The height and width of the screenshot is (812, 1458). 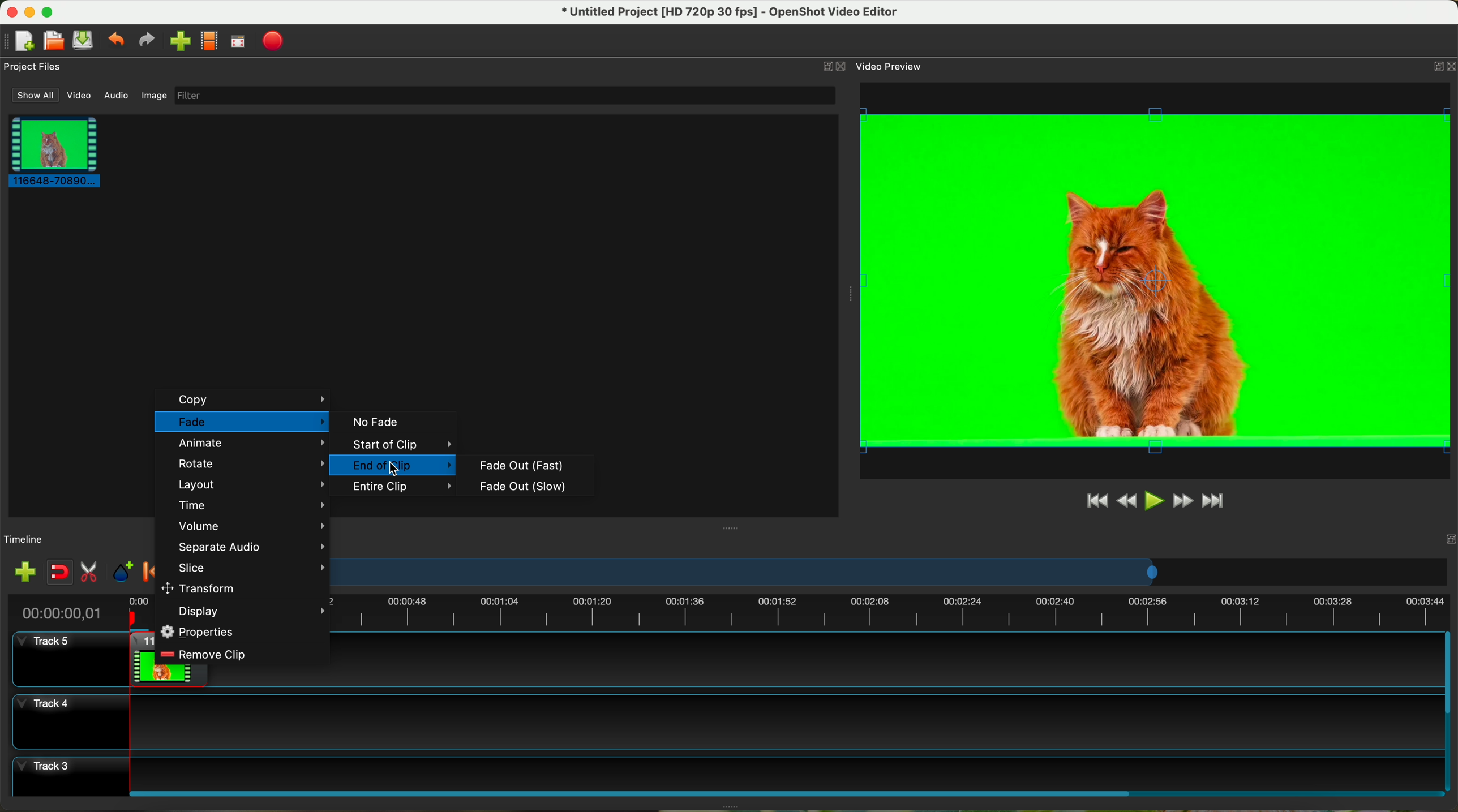 What do you see at coordinates (726, 771) in the screenshot?
I see `track 3` at bounding box center [726, 771].